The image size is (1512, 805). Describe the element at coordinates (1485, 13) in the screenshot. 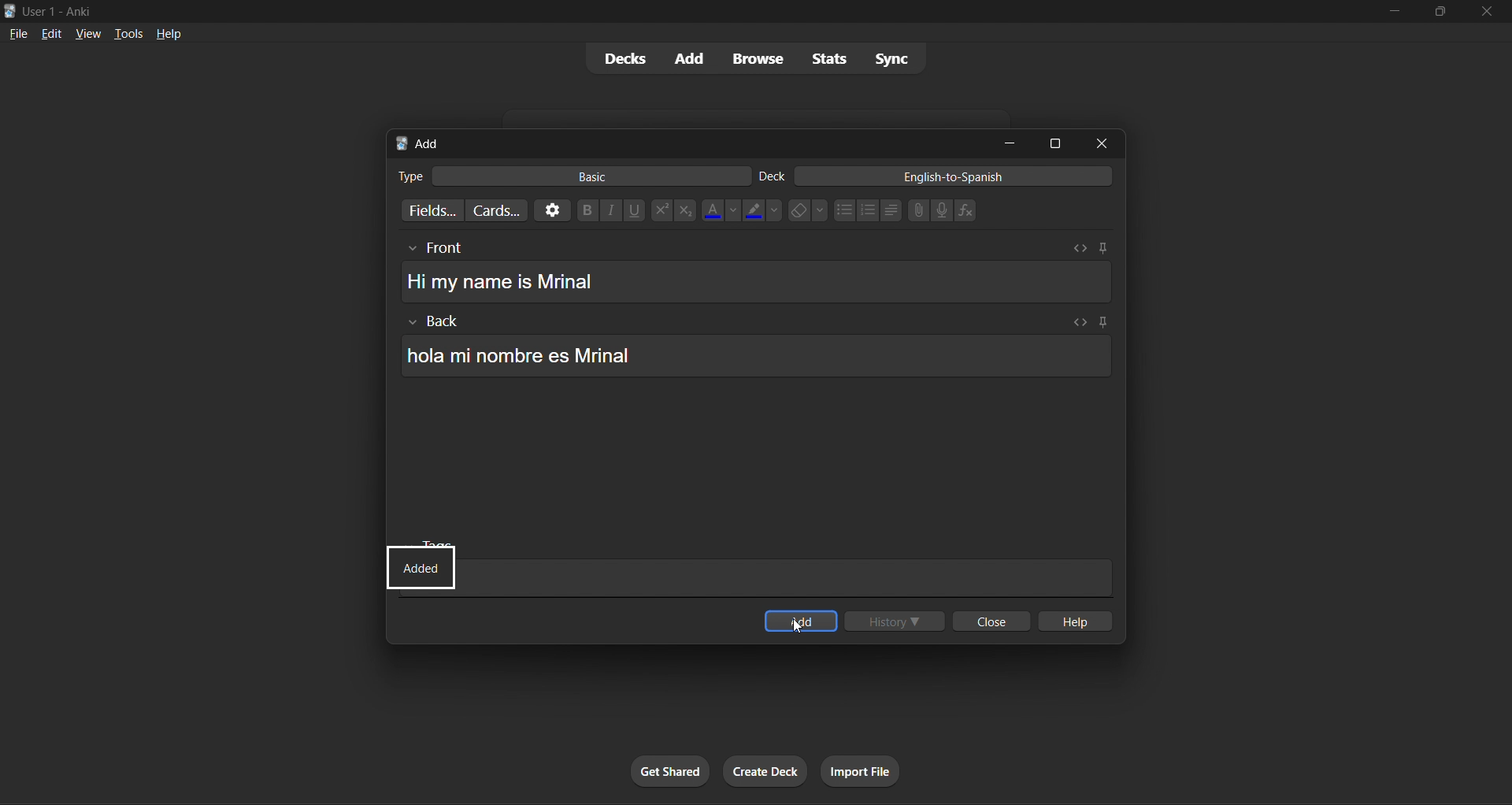

I see `close` at that location.